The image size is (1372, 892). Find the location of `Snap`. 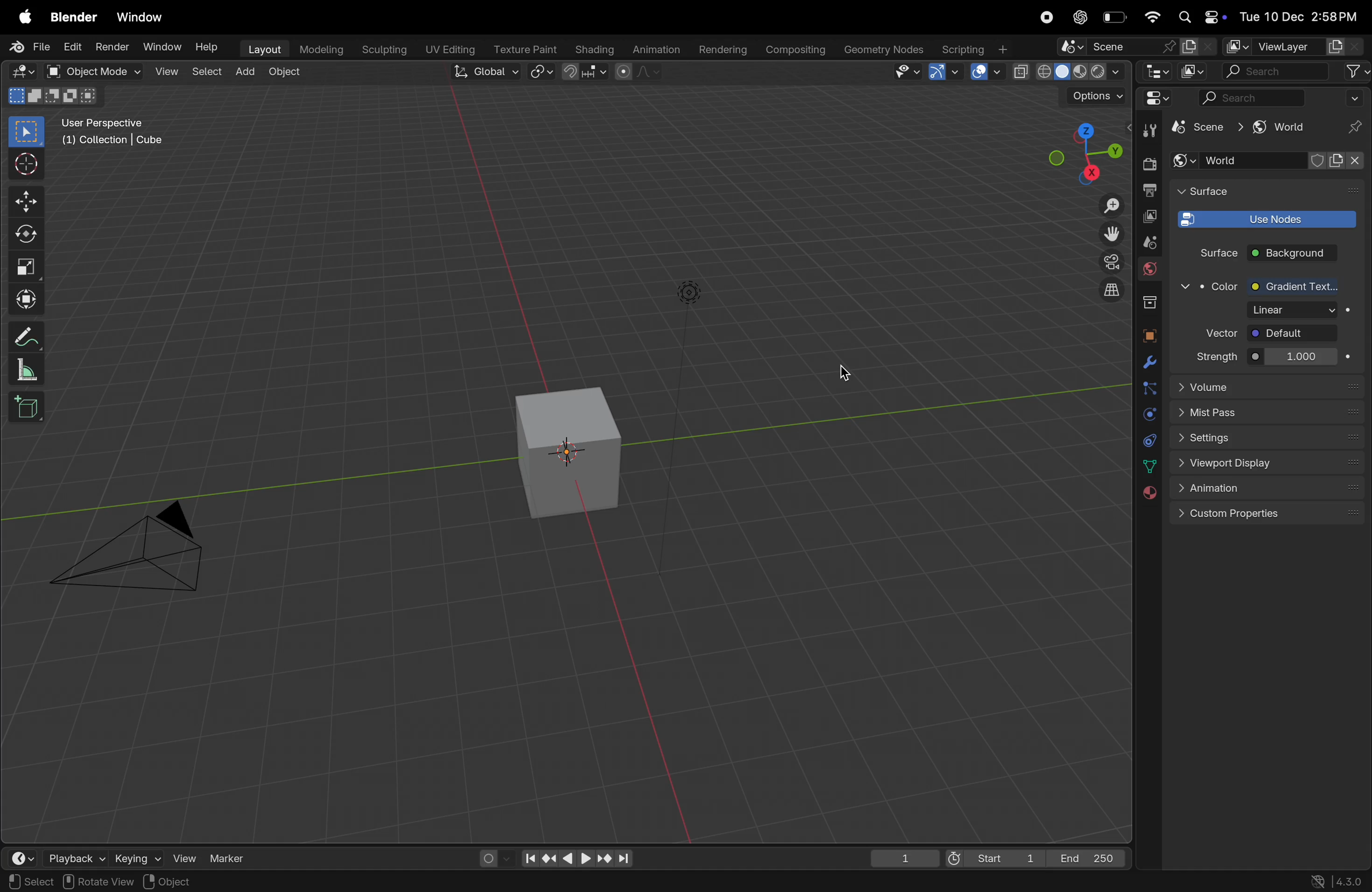

Snap is located at coordinates (587, 72).